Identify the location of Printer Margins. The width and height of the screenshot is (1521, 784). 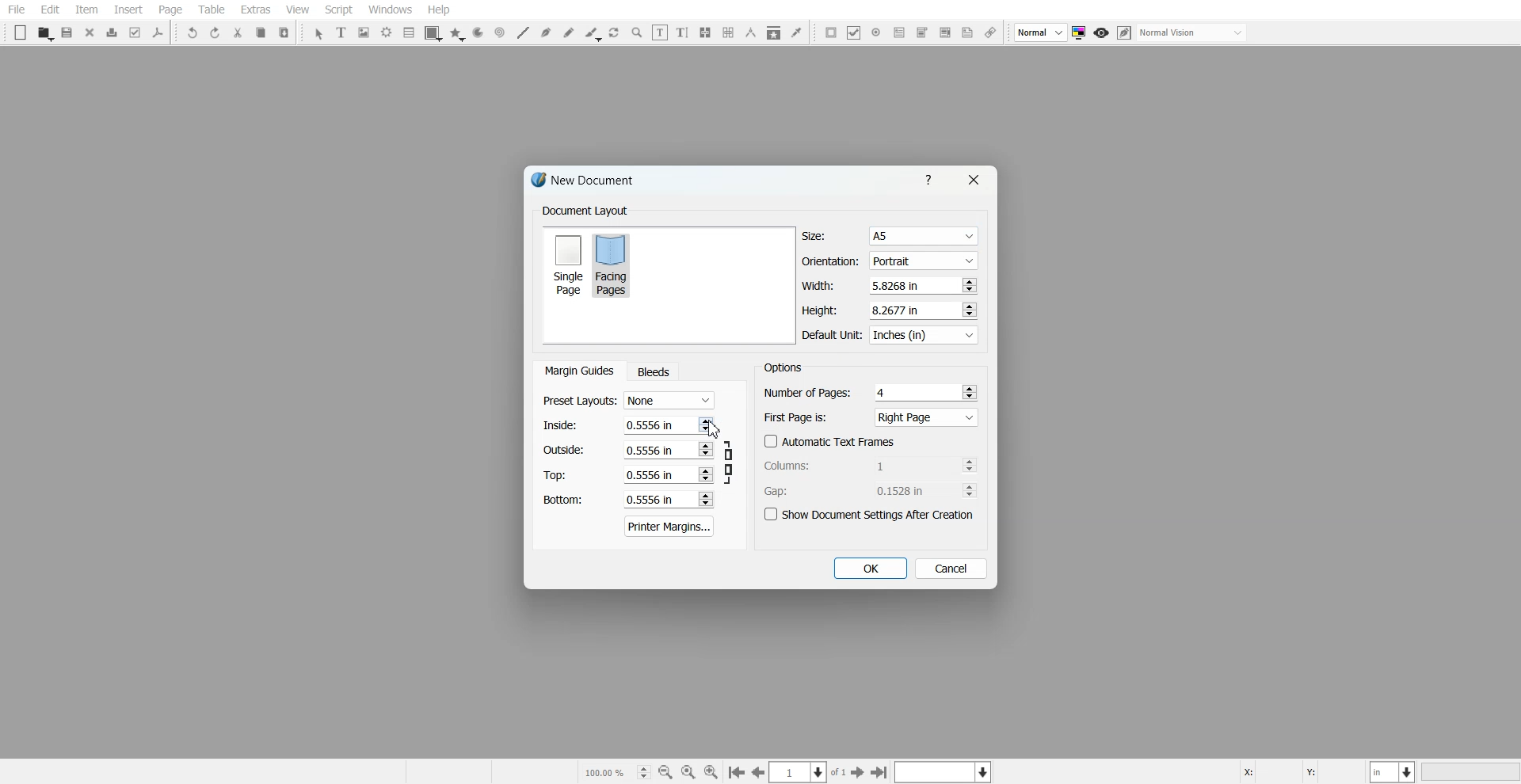
(670, 526).